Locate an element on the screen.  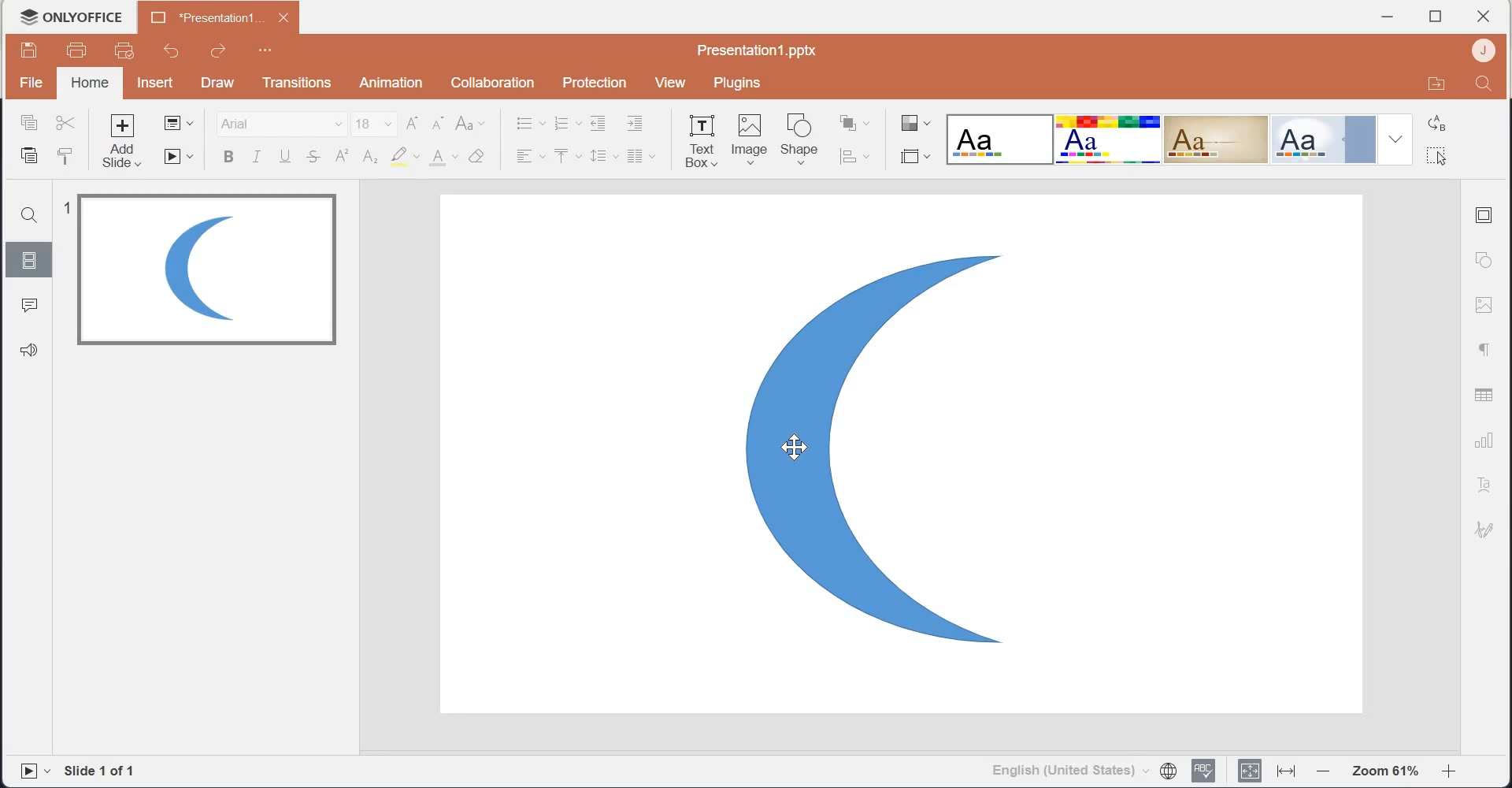
Print file is located at coordinates (79, 51).